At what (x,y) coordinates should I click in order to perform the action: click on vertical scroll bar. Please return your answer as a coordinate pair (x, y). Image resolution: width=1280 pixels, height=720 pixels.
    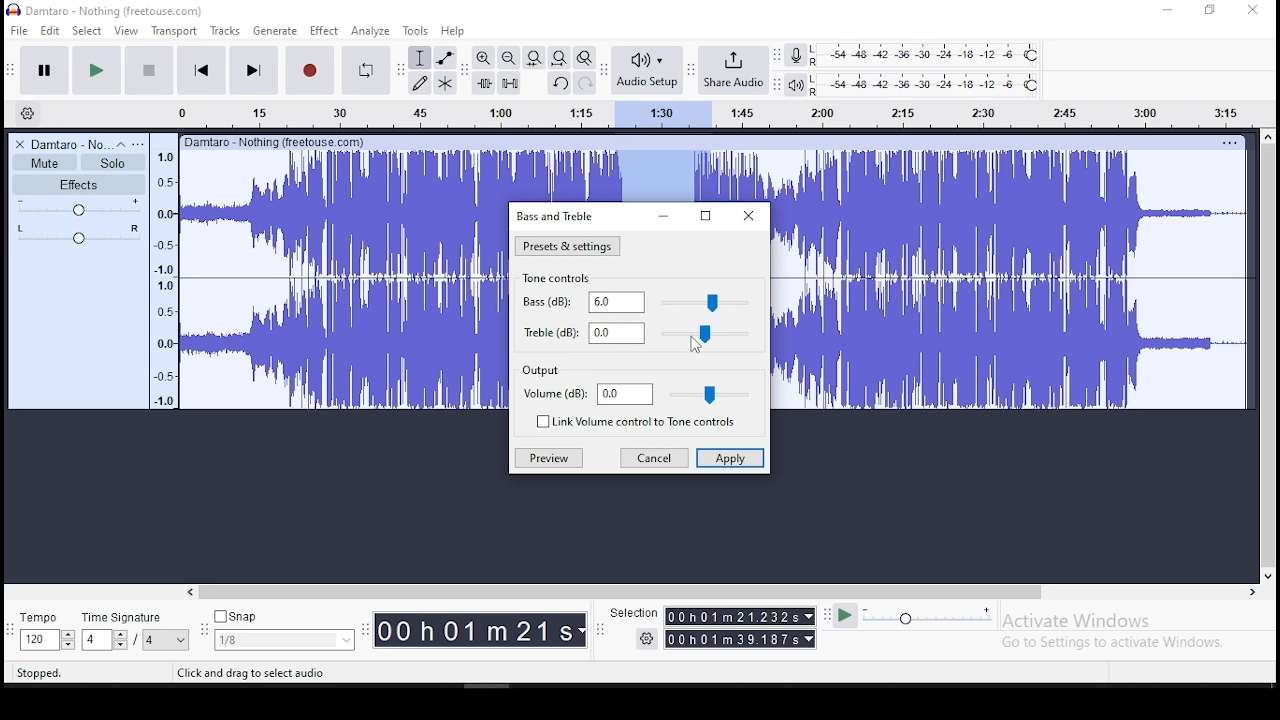
    Looking at the image, I should click on (1271, 353).